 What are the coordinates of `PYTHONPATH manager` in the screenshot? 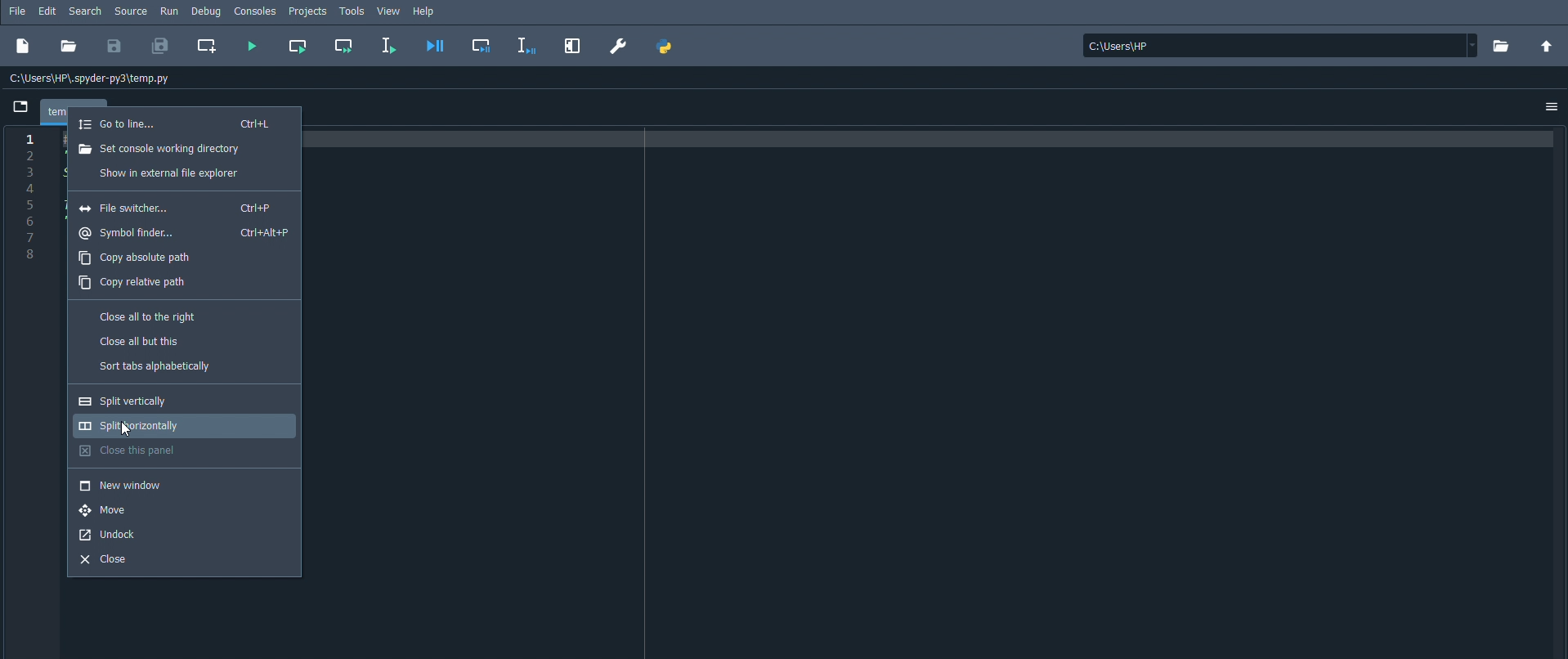 It's located at (666, 47).